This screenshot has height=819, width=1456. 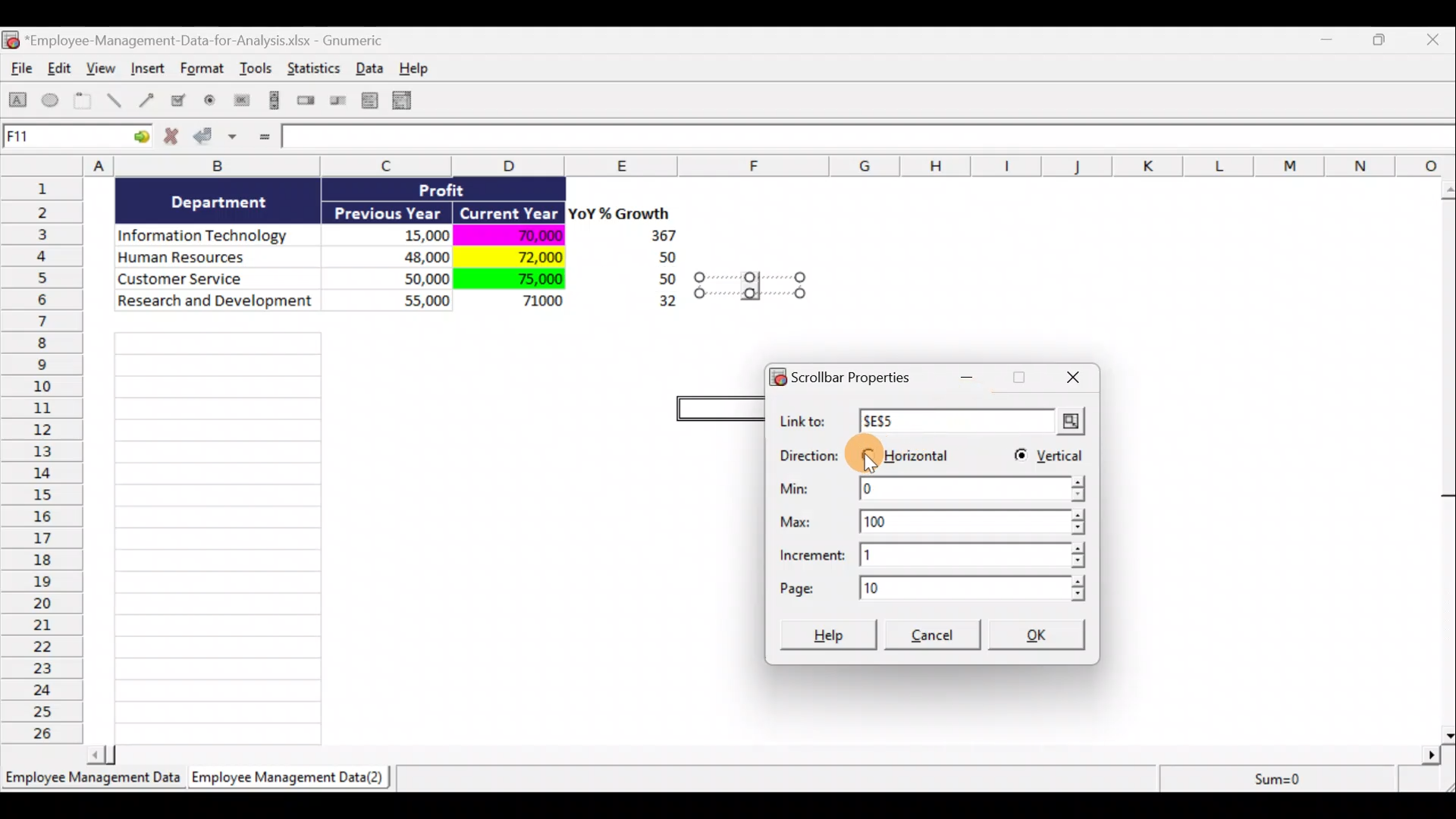 I want to click on Direction, so click(x=809, y=457).